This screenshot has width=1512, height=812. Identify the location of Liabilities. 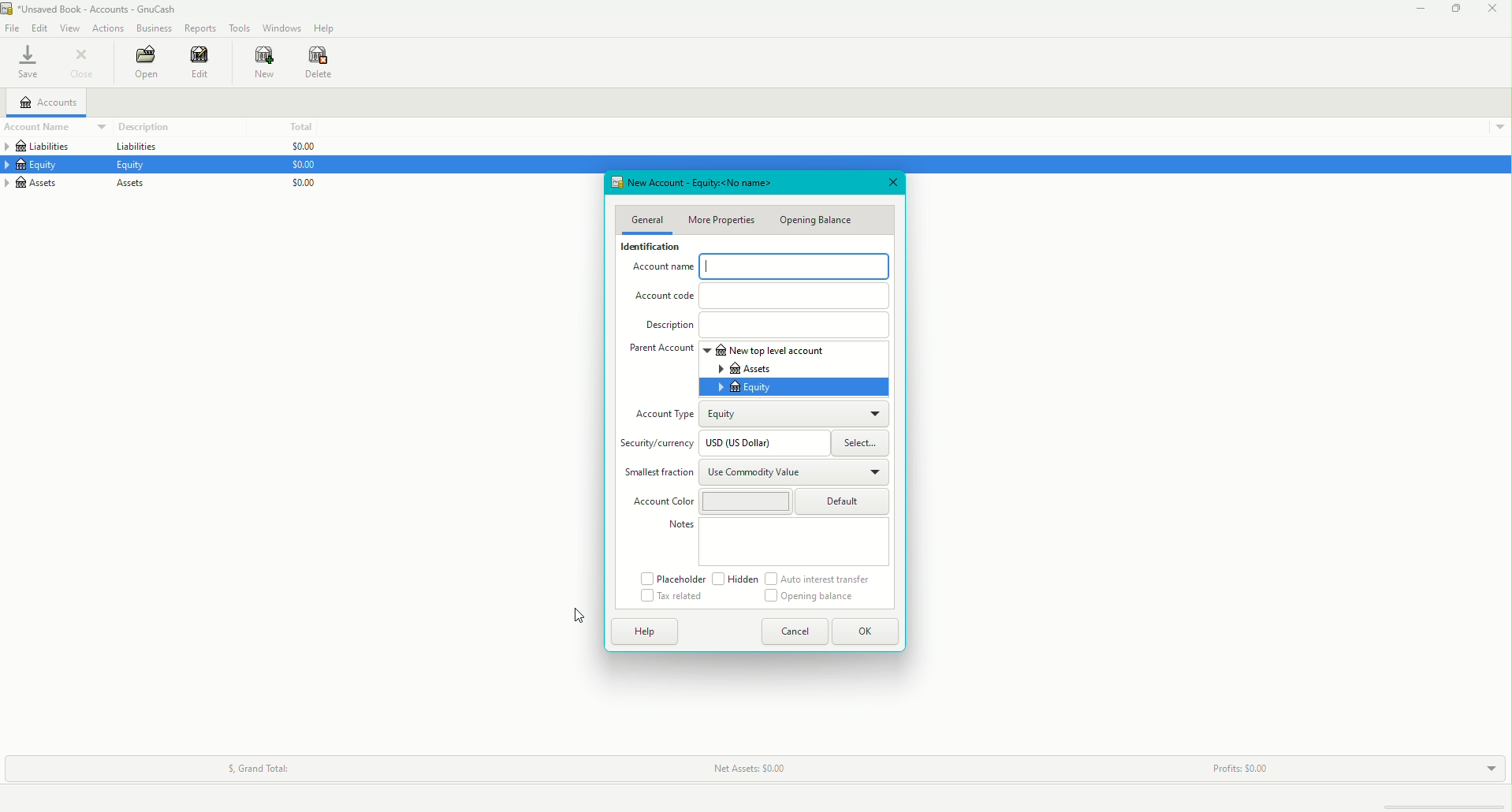
(134, 147).